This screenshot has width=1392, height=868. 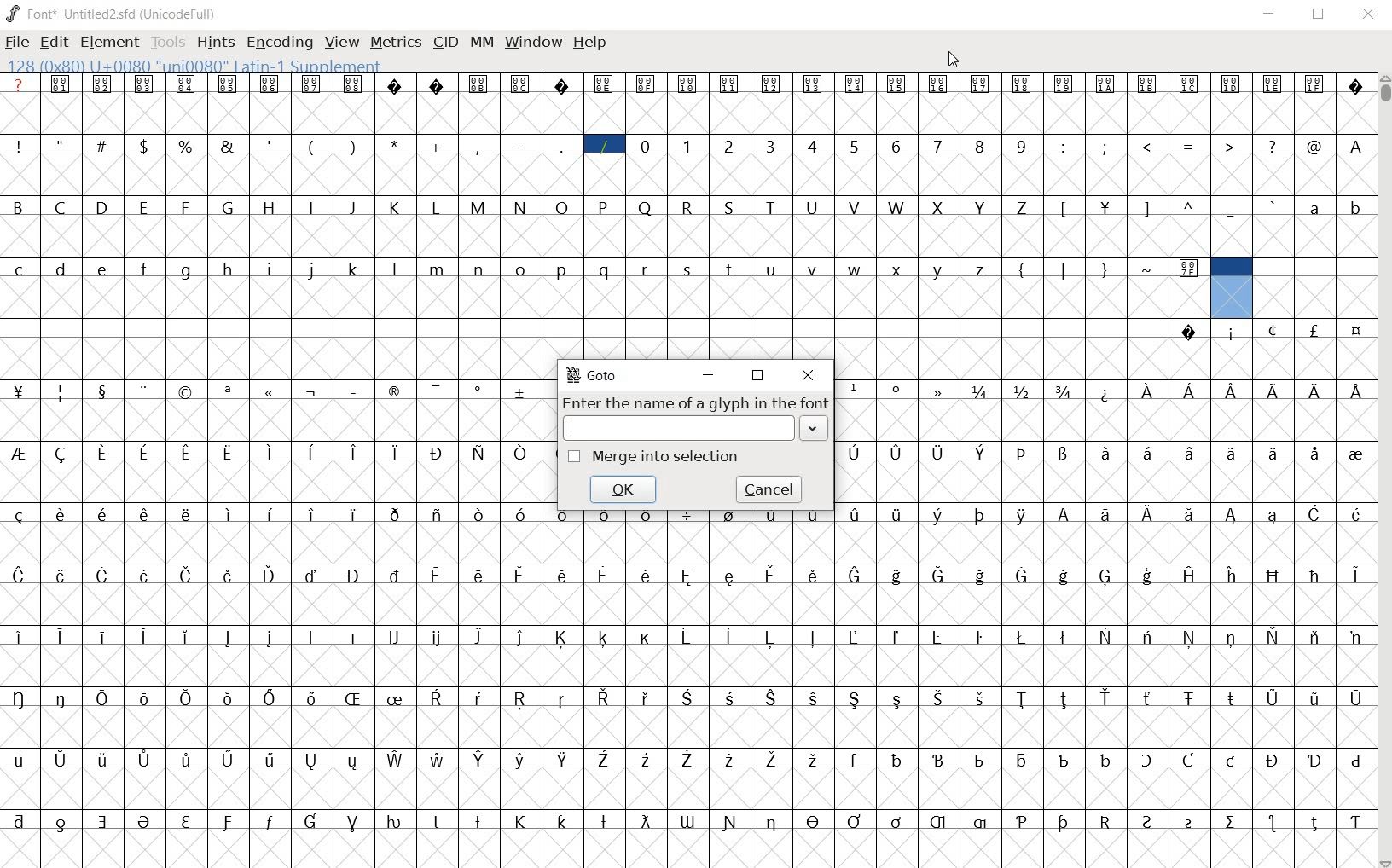 What do you see at coordinates (1275, 637) in the screenshot?
I see `Symbol` at bounding box center [1275, 637].